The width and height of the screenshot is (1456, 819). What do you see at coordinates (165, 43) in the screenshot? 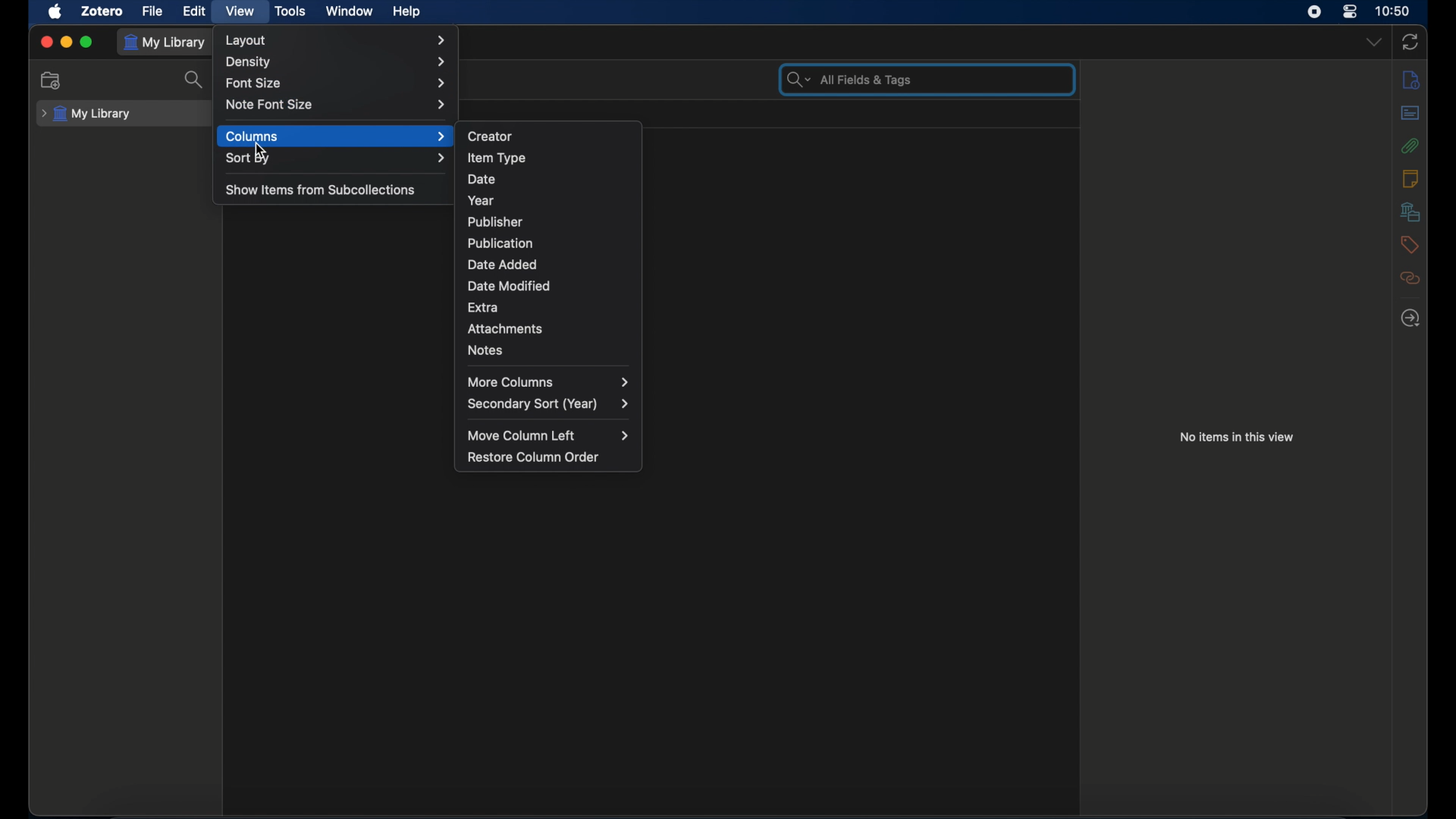
I see `my library` at bounding box center [165, 43].